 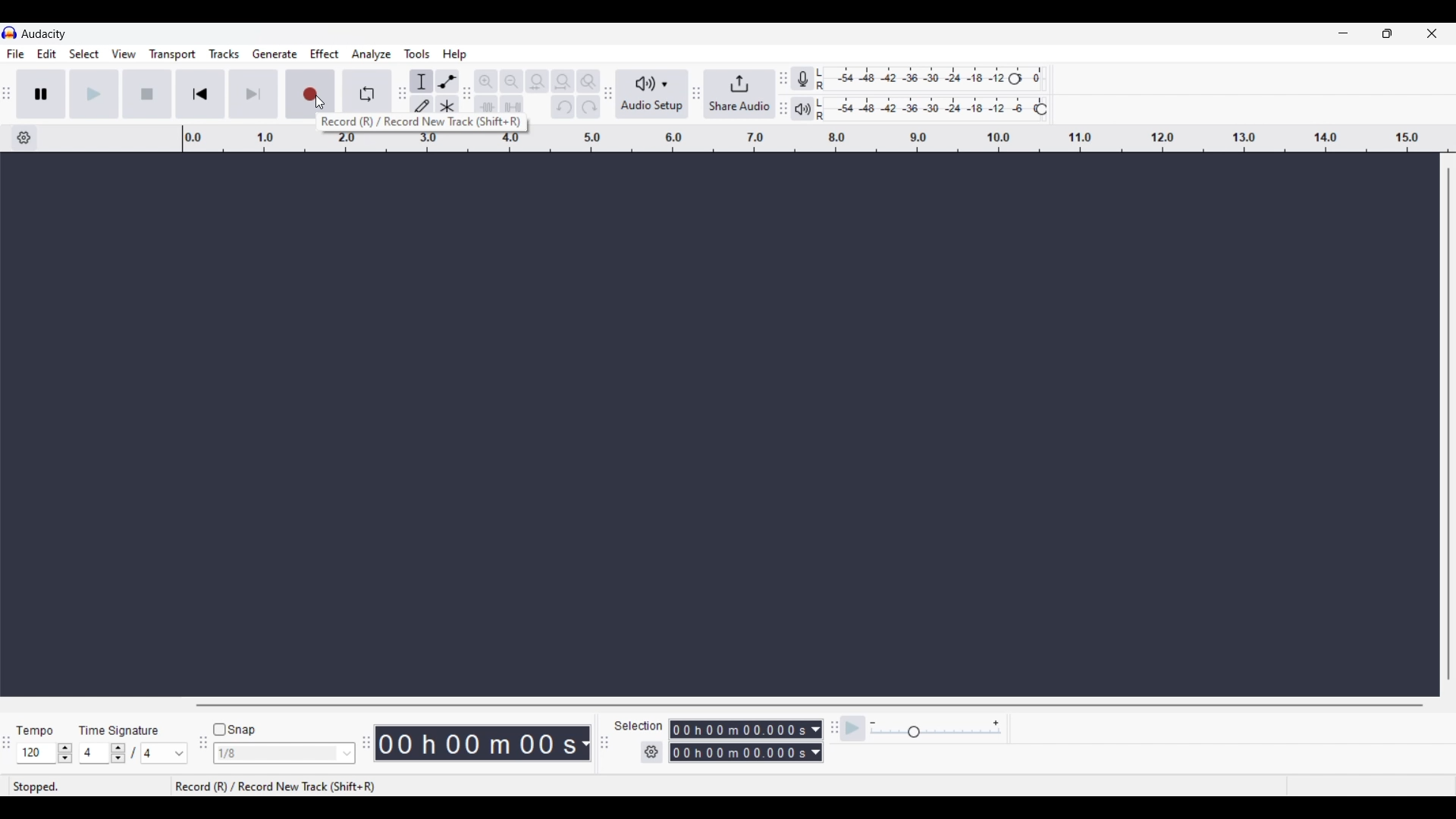 What do you see at coordinates (607, 96) in the screenshot?
I see `toolbar` at bounding box center [607, 96].